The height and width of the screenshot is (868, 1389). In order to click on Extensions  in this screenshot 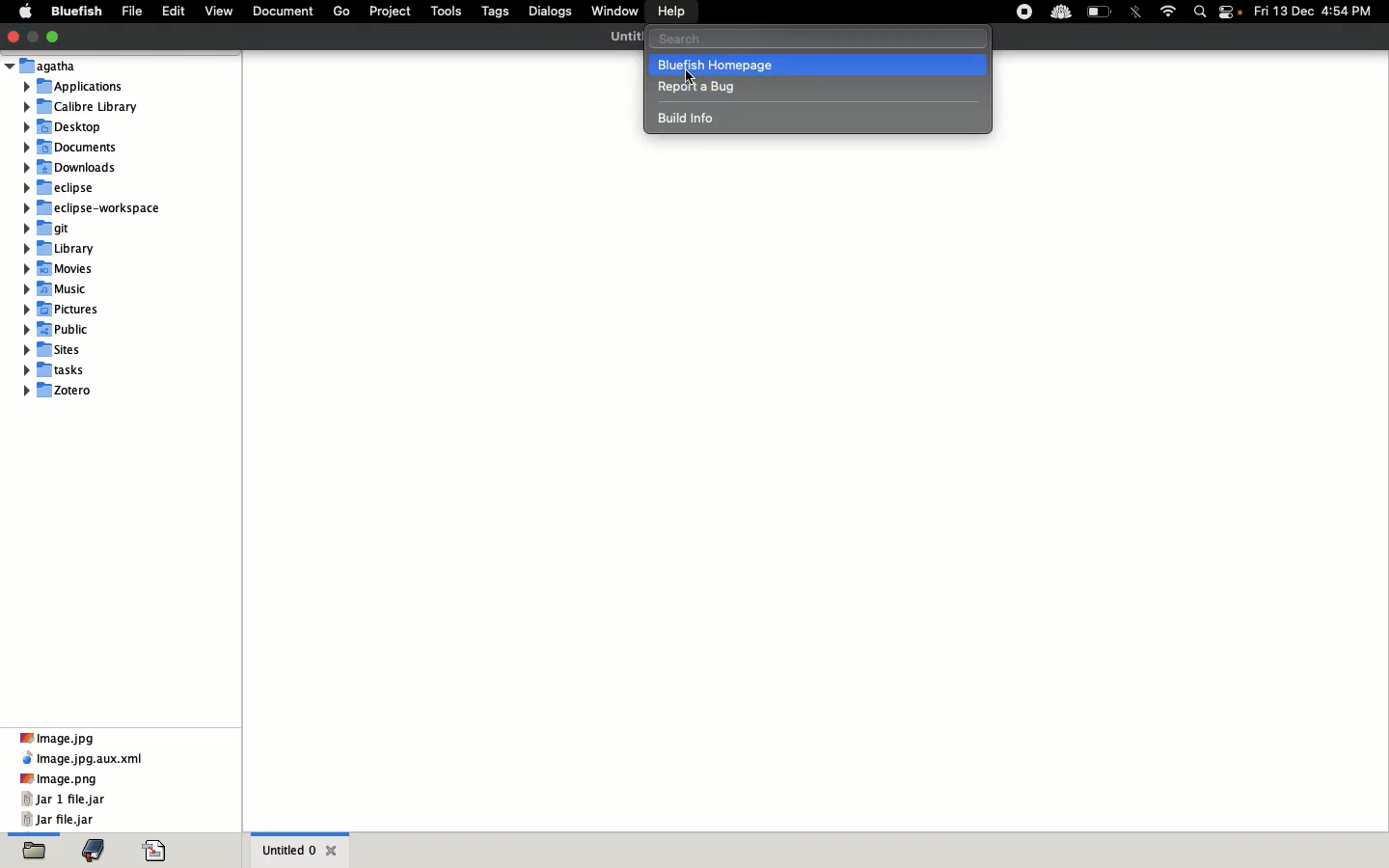, I will do `click(1061, 12)`.